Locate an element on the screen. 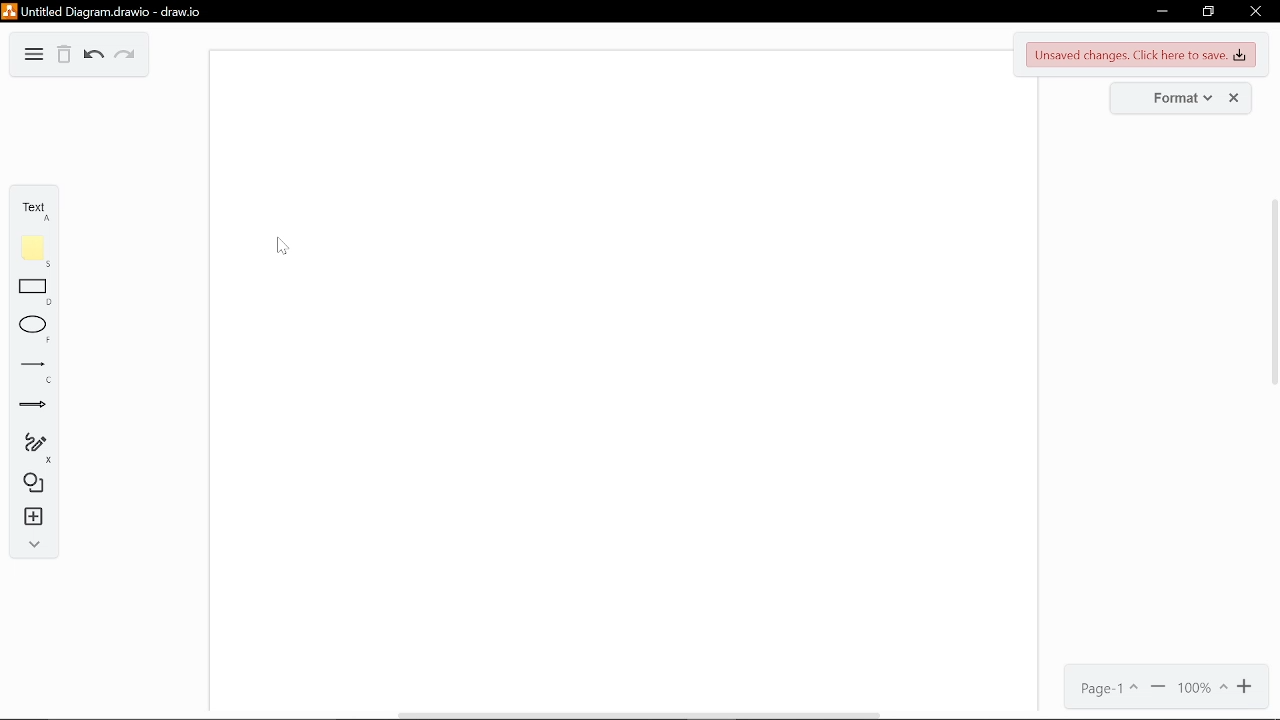 Image resolution: width=1280 pixels, height=720 pixels. rectangle is located at coordinates (34, 292).